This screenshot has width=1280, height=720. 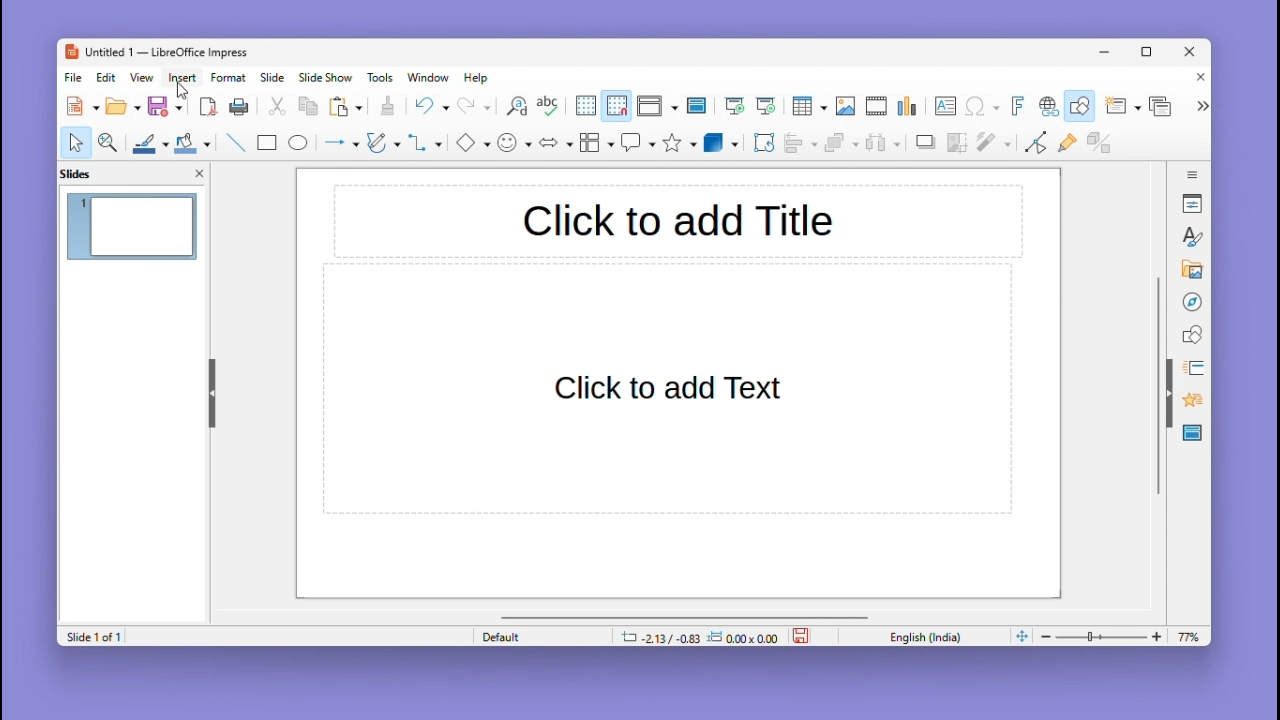 I want to click on pencil, so click(x=383, y=145).